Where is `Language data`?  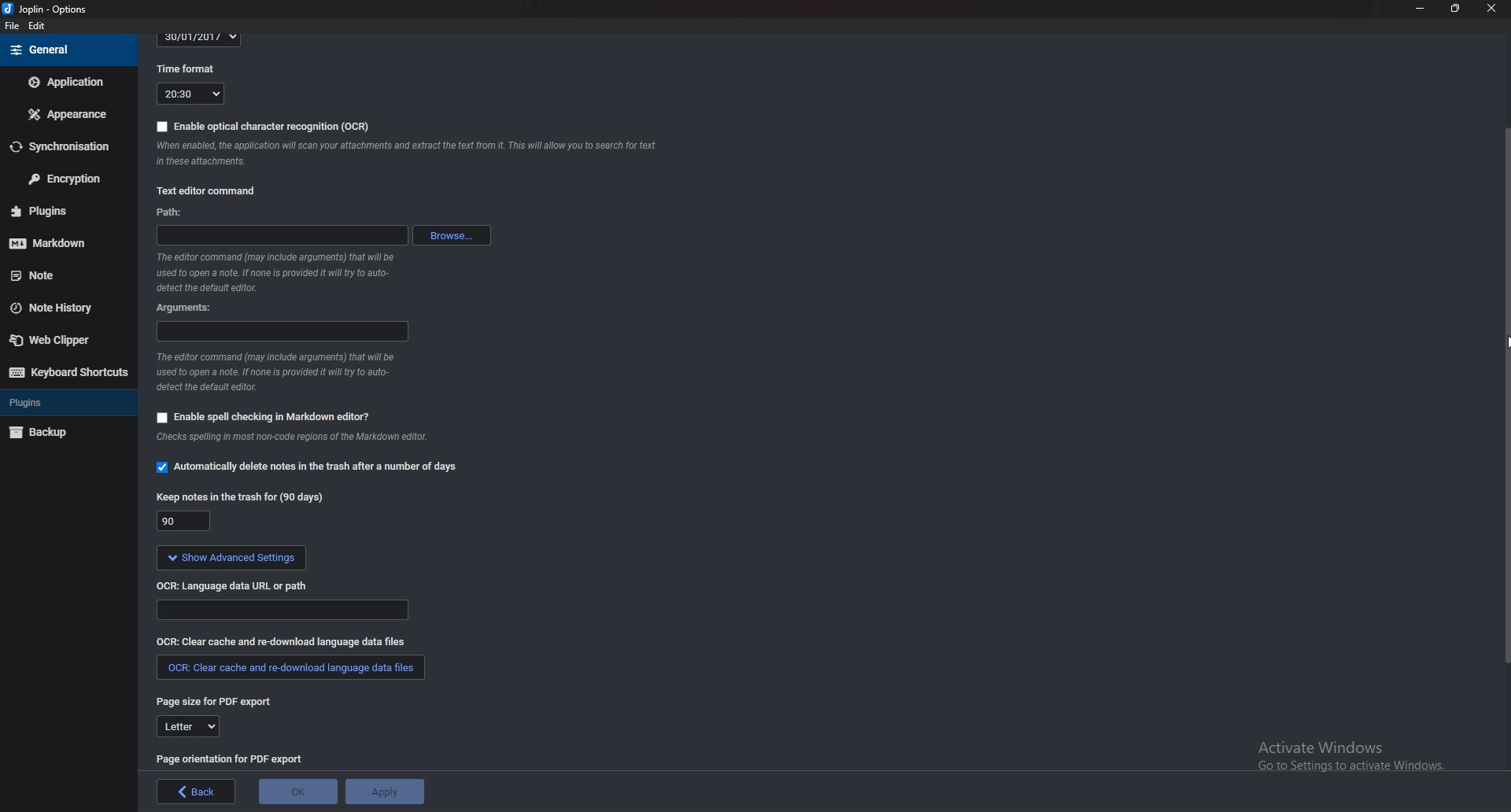
Language data is located at coordinates (284, 610).